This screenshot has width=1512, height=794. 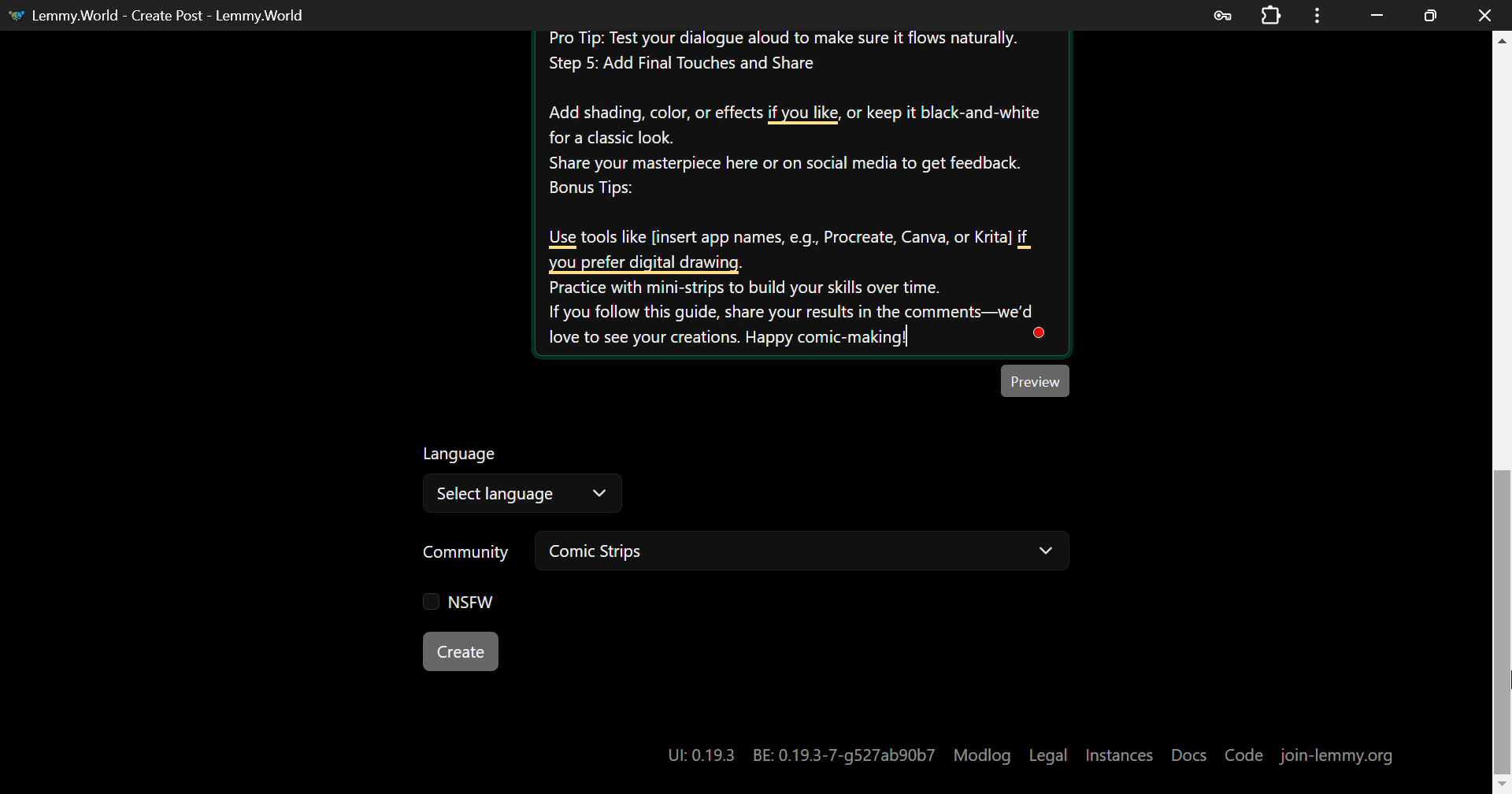 What do you see at coordinates (1378, 13) in the screenshot?
I see `Restore Down` at bounding box center [1378, 13].